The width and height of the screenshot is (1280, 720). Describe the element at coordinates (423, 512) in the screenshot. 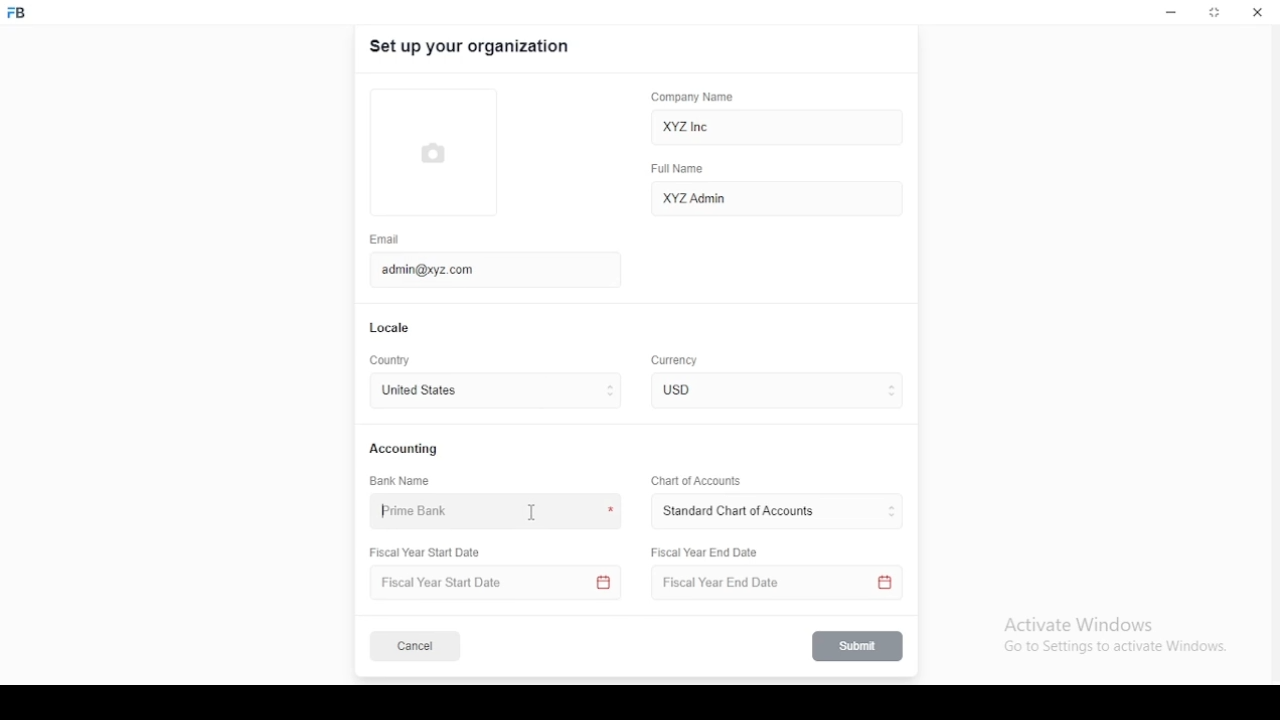

I see `prime bank` at that location.